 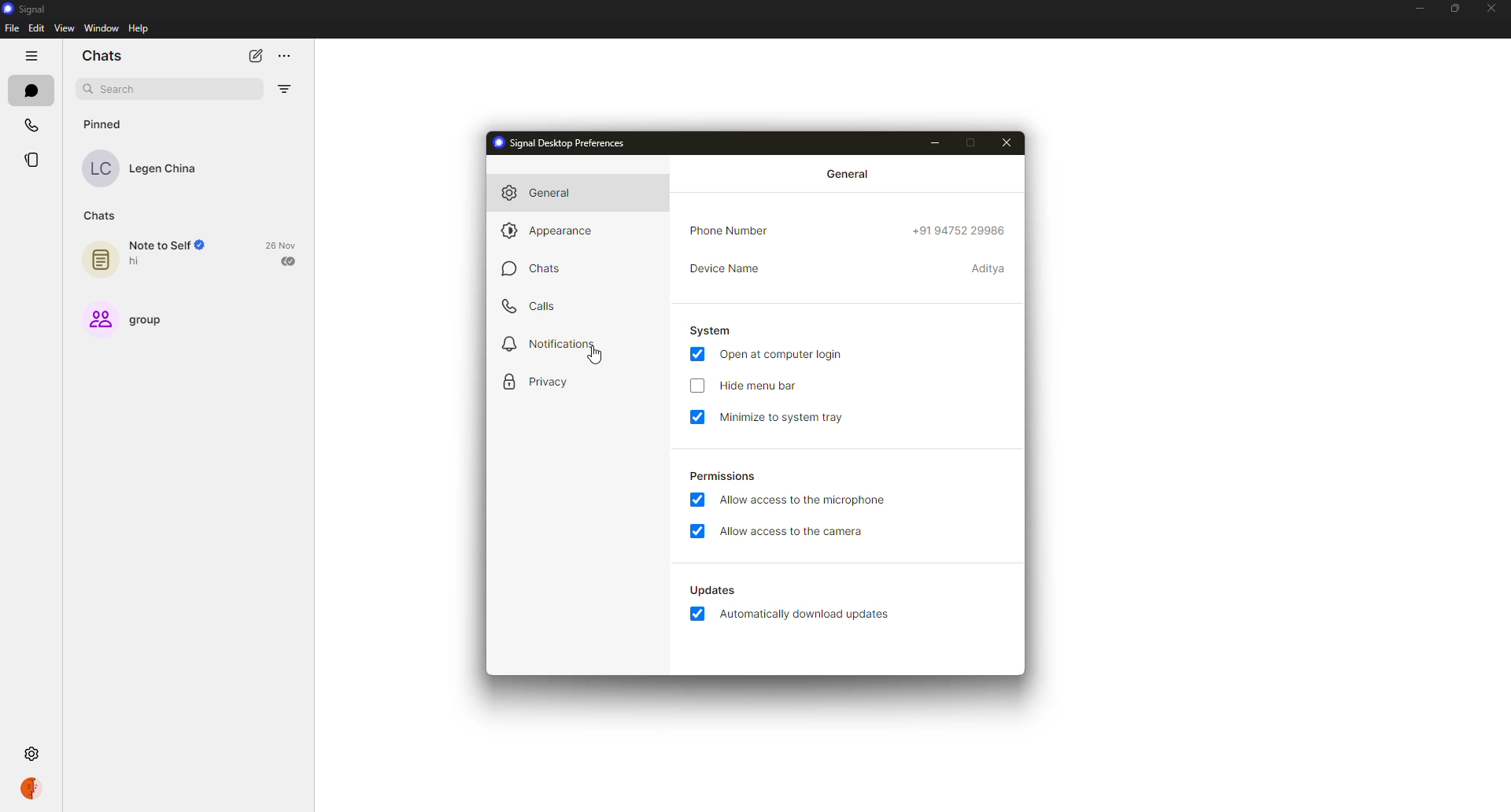 What do you see at coordinates (99, 168) in the screenshot?
I see `LC` at bounding box center [99, 168].